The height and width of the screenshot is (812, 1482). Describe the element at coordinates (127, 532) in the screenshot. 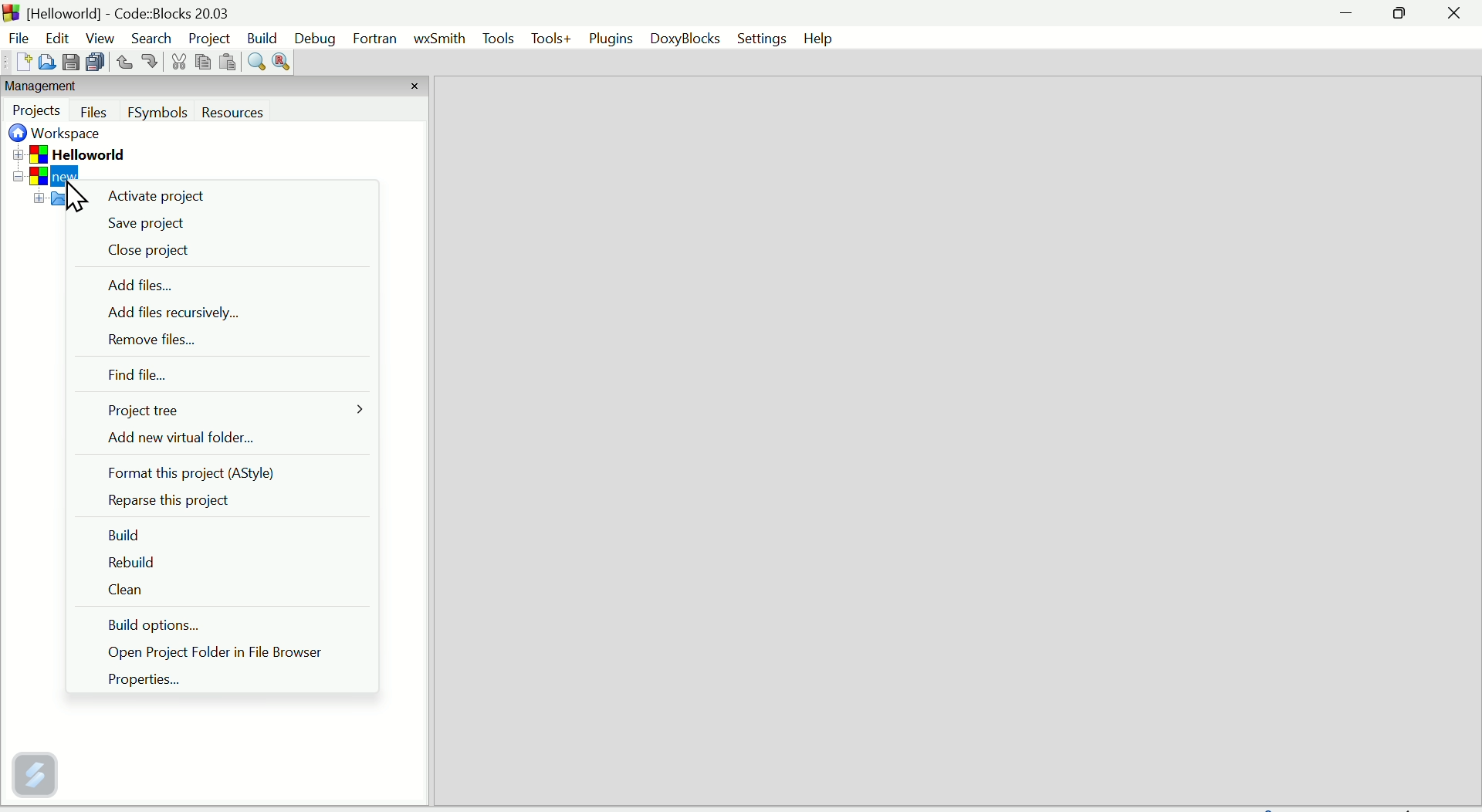

I see `Build` at that location.